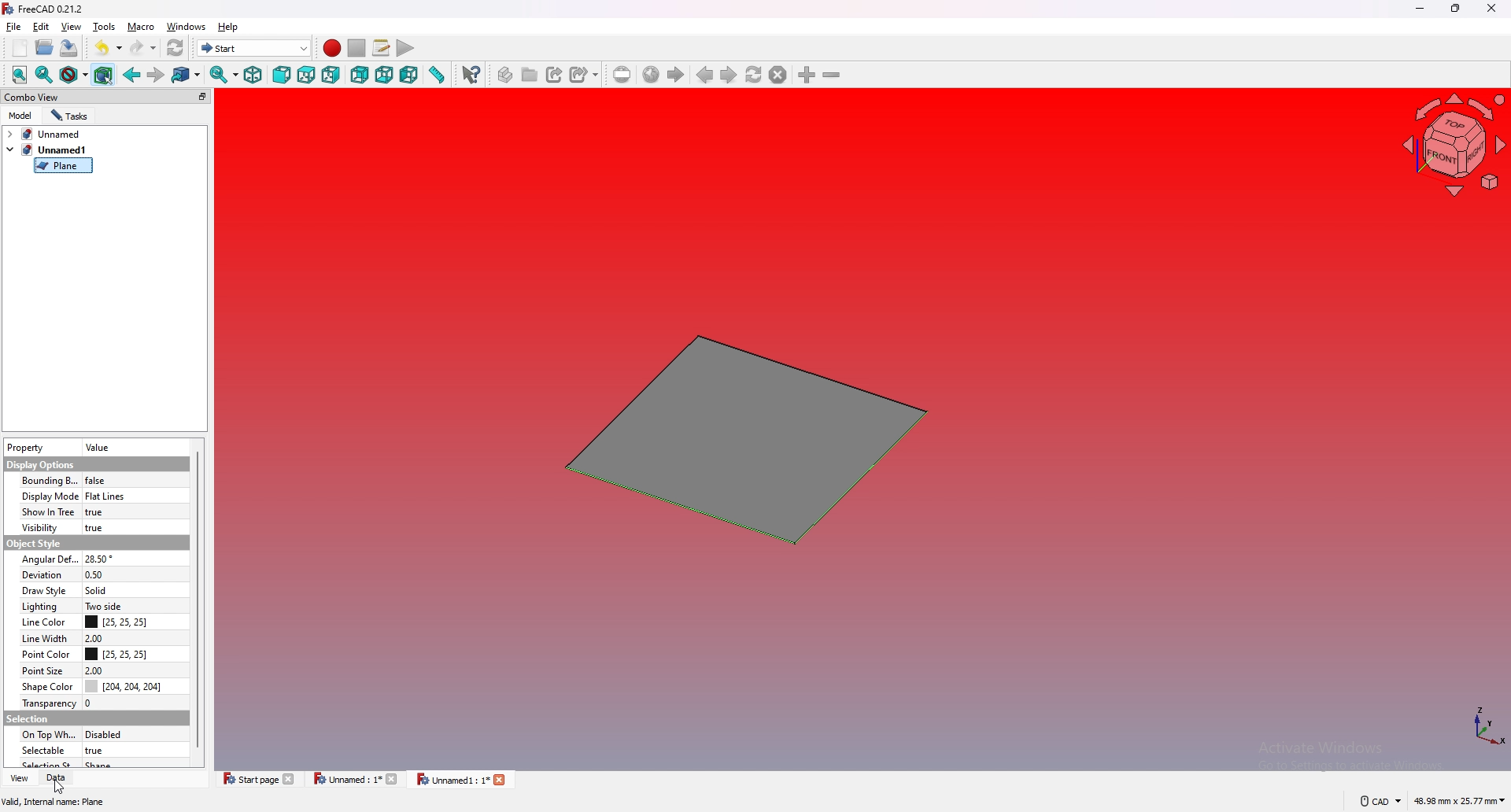 The width and height of the screenshot is (1511, 812). What do you see at coordinates (41, 26) in the screenshot?
I see `edit` at bounding box center [41, 26].